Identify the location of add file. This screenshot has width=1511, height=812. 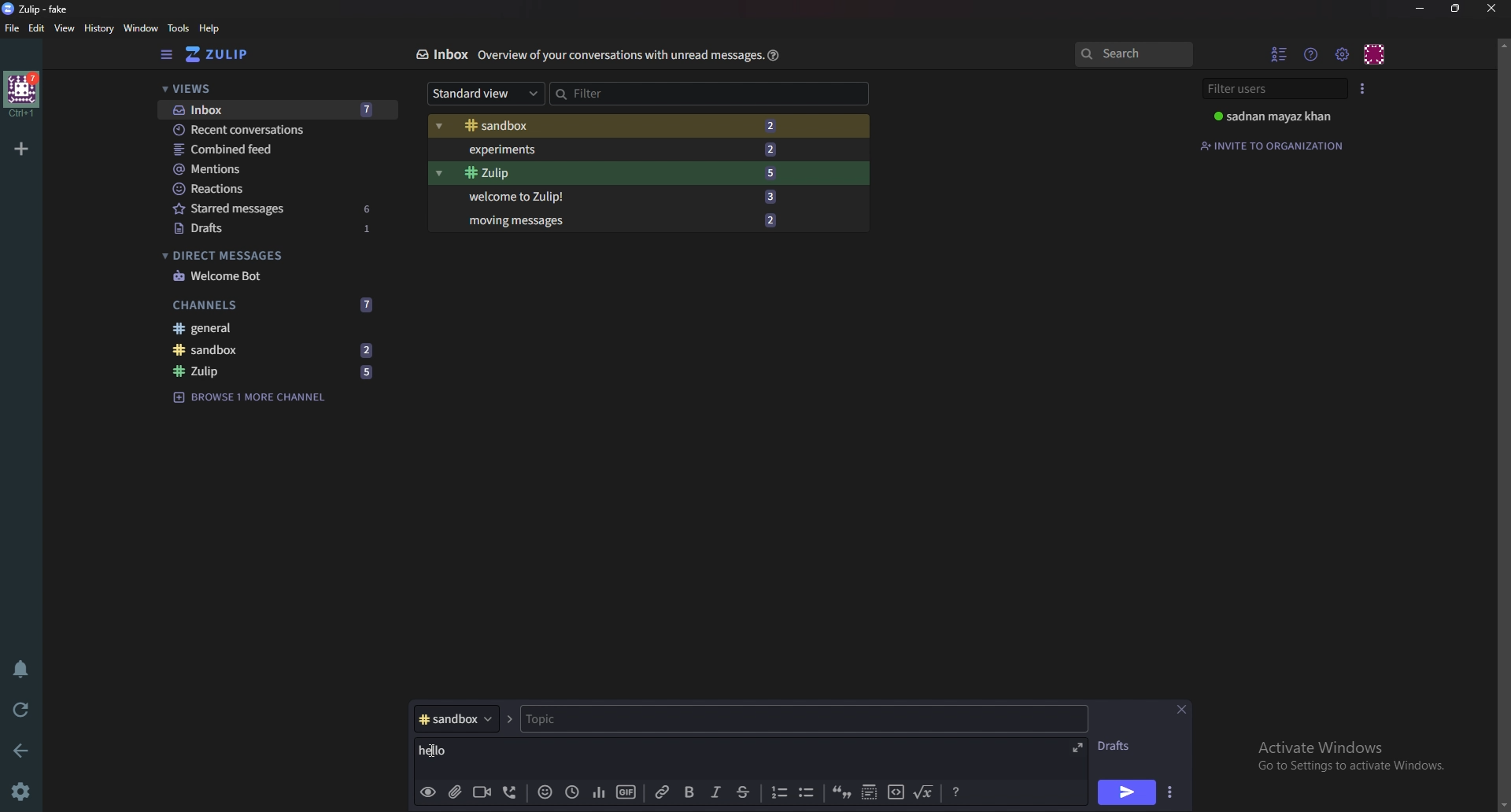
(455, 792).